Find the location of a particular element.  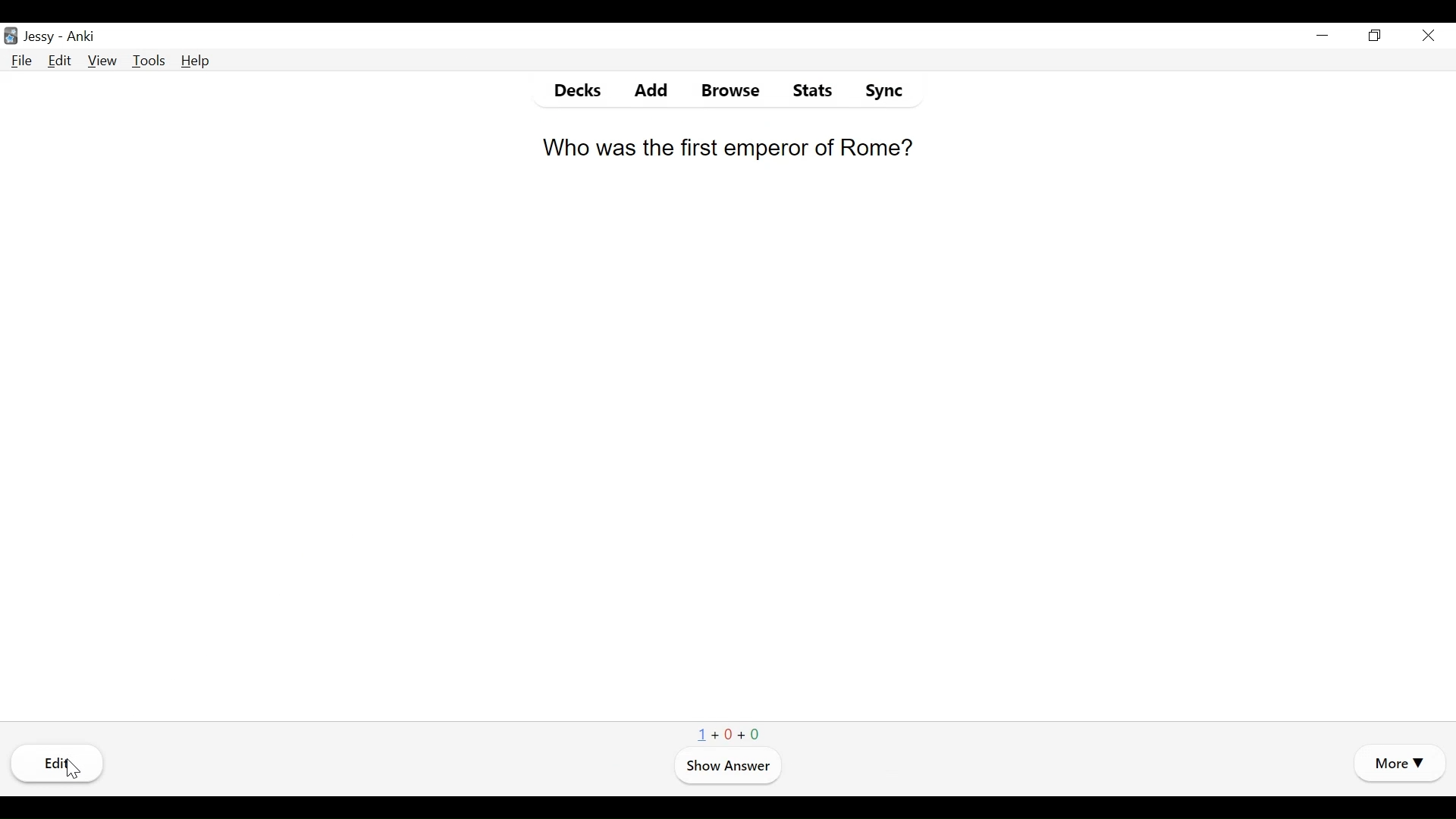

Tools is located at coordinates (149, 61).